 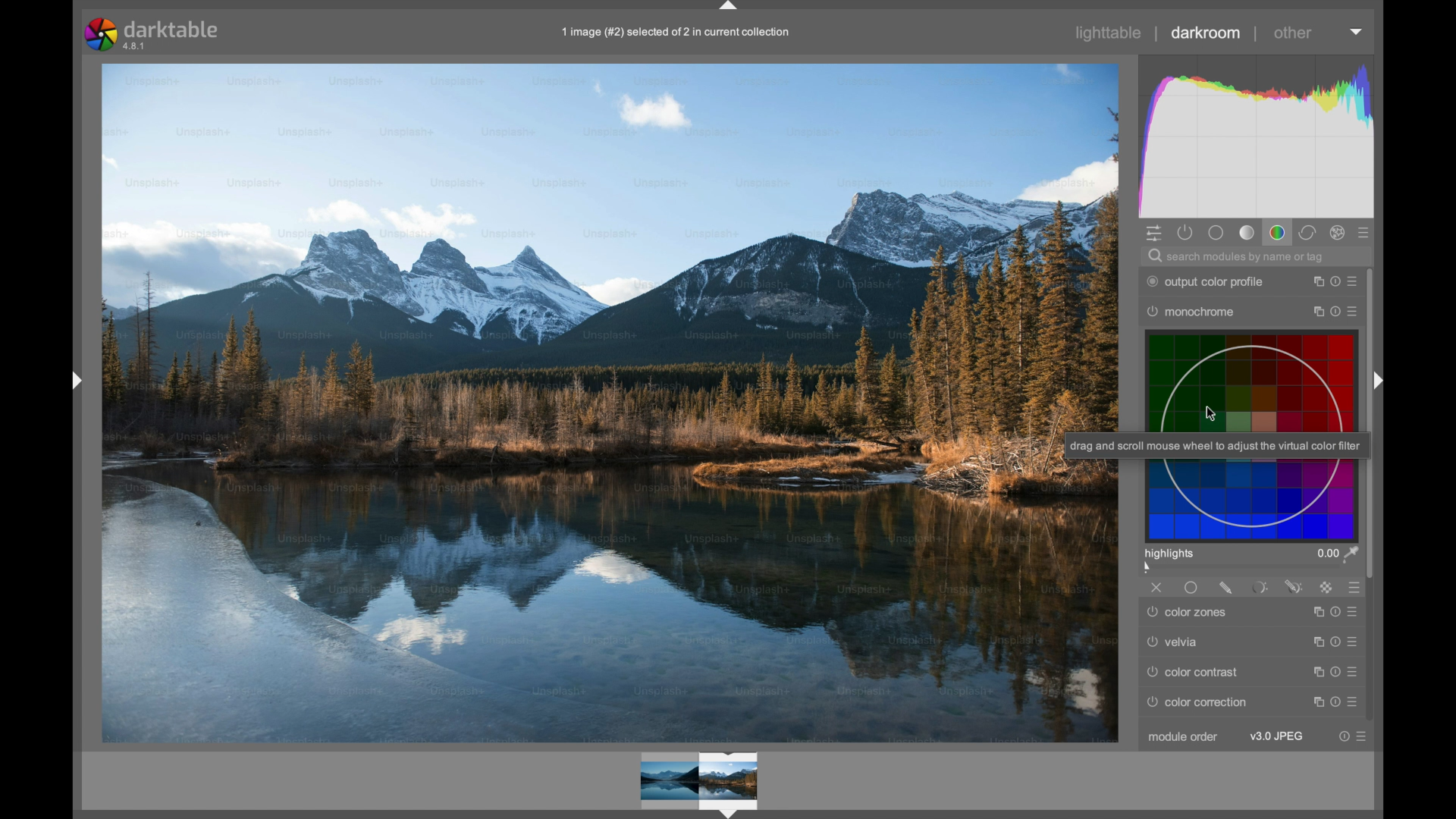 What do you see at coordinates (1259, 136) in the screenshot?
I see `histogram` at bounding box center [1259, 136].